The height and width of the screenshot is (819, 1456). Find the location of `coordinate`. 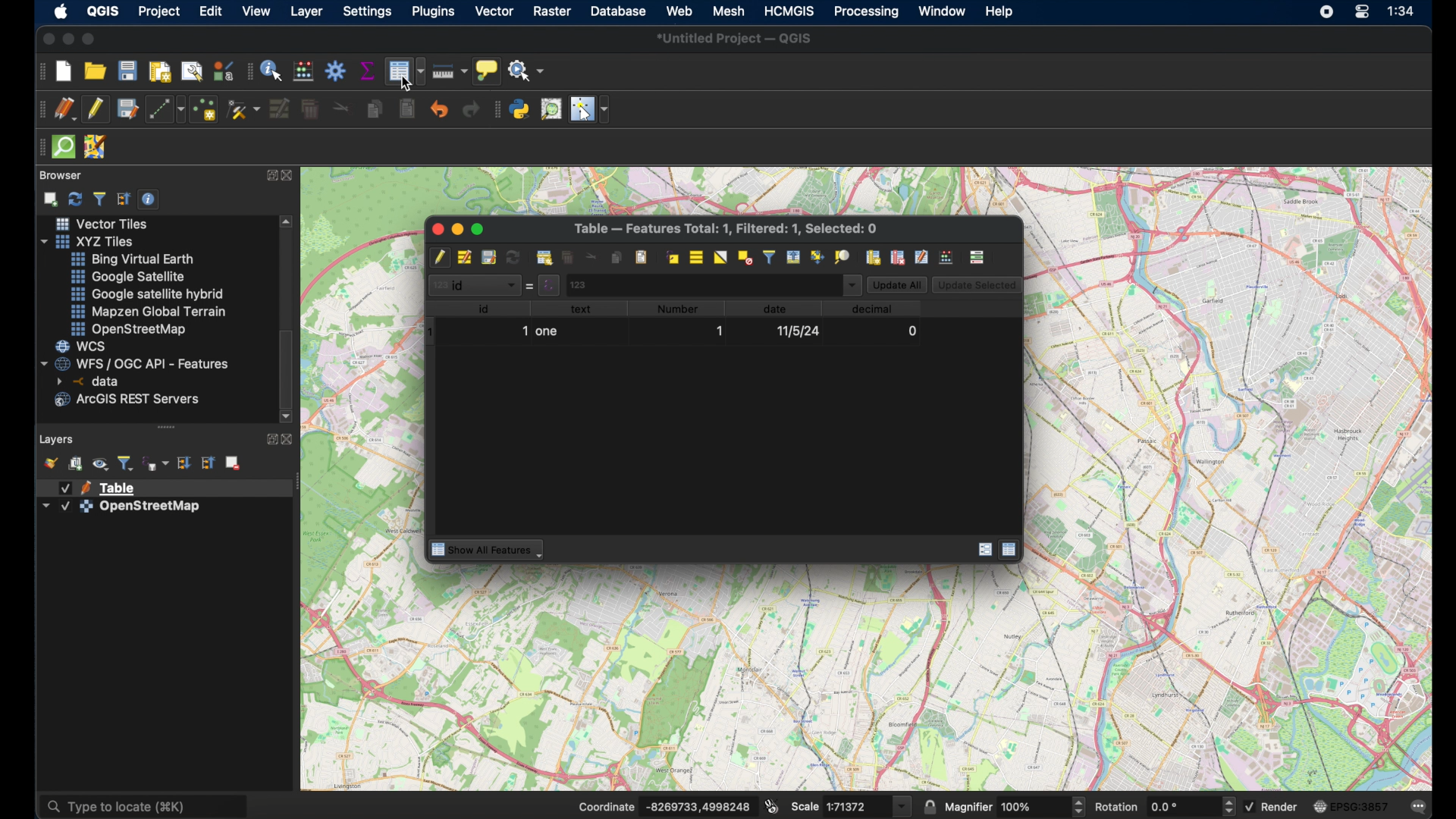

coordinate is located at coordinates (604, 805).